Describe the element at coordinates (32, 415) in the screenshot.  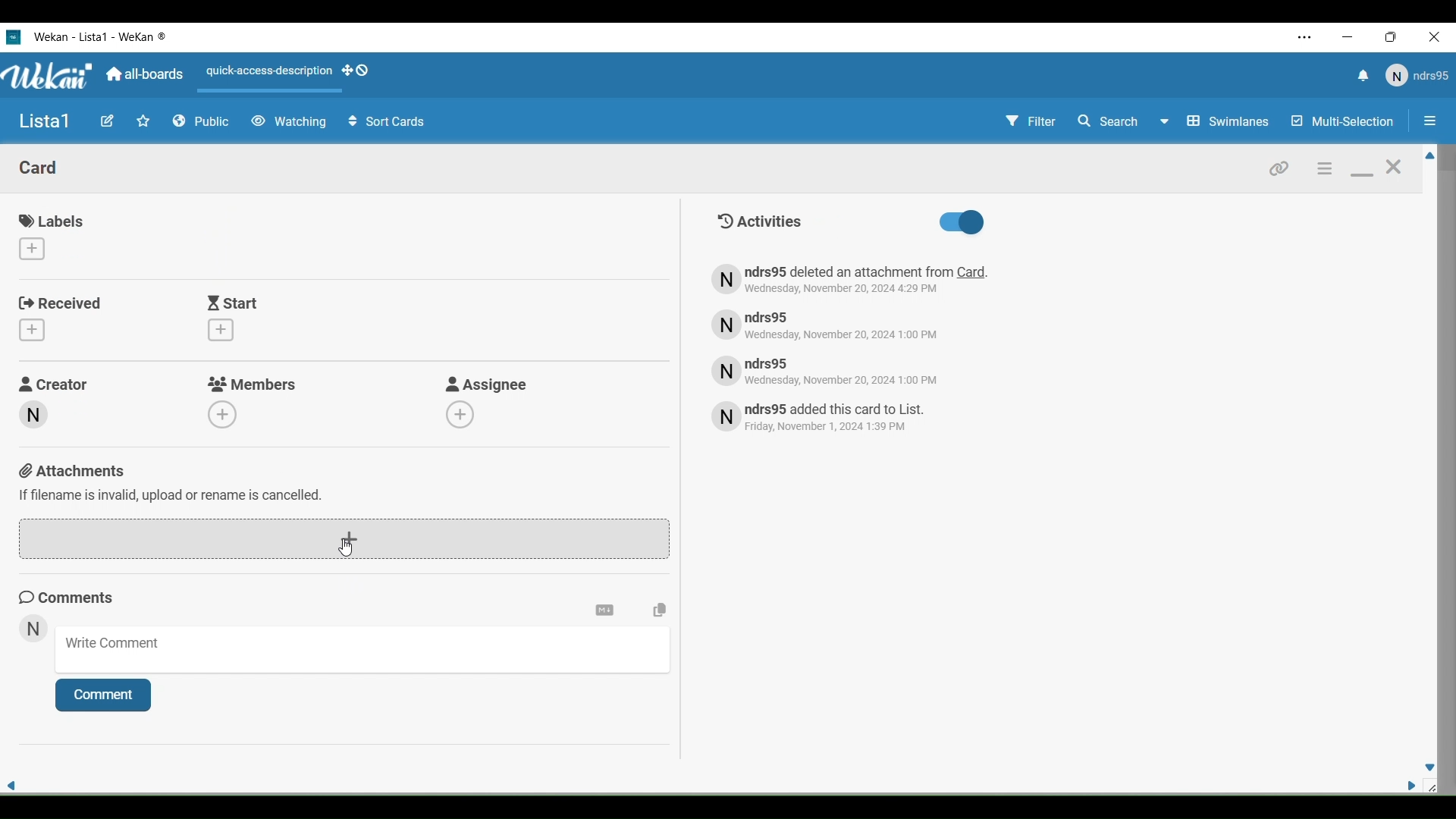
I see `Creator` at that location.